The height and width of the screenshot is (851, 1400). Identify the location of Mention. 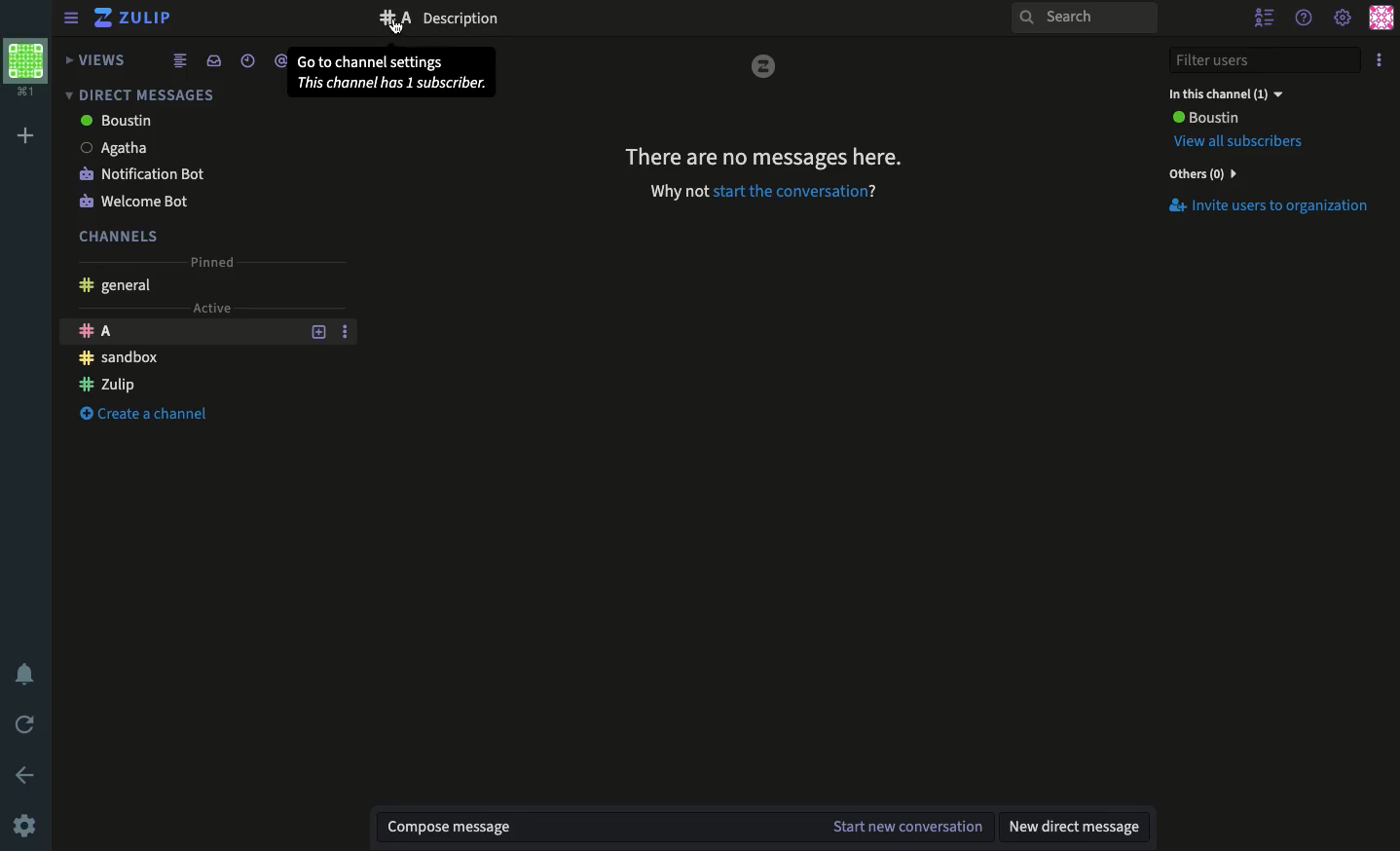
(282, 61).